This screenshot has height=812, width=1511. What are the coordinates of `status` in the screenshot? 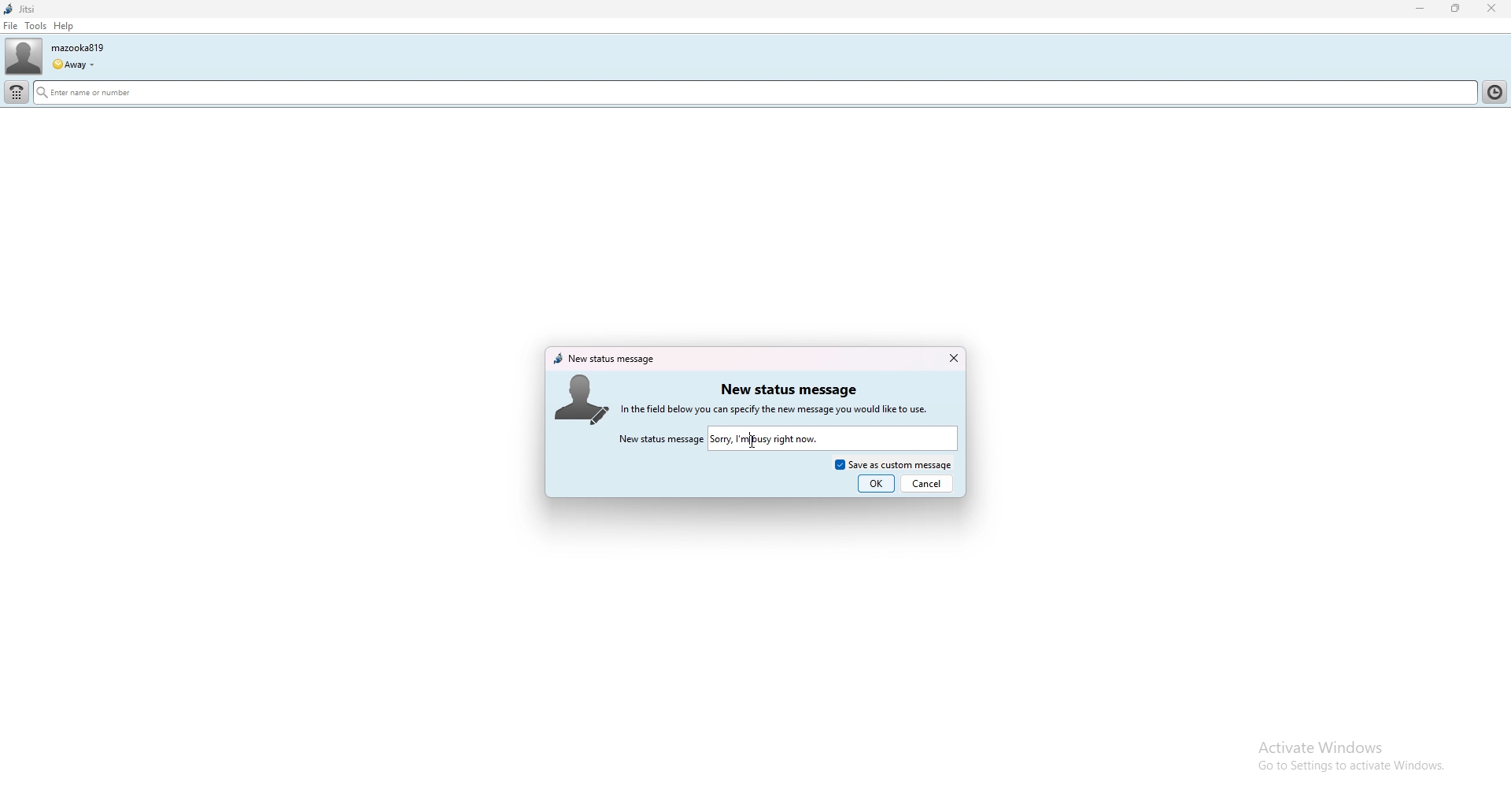 It's located at (72, 65).